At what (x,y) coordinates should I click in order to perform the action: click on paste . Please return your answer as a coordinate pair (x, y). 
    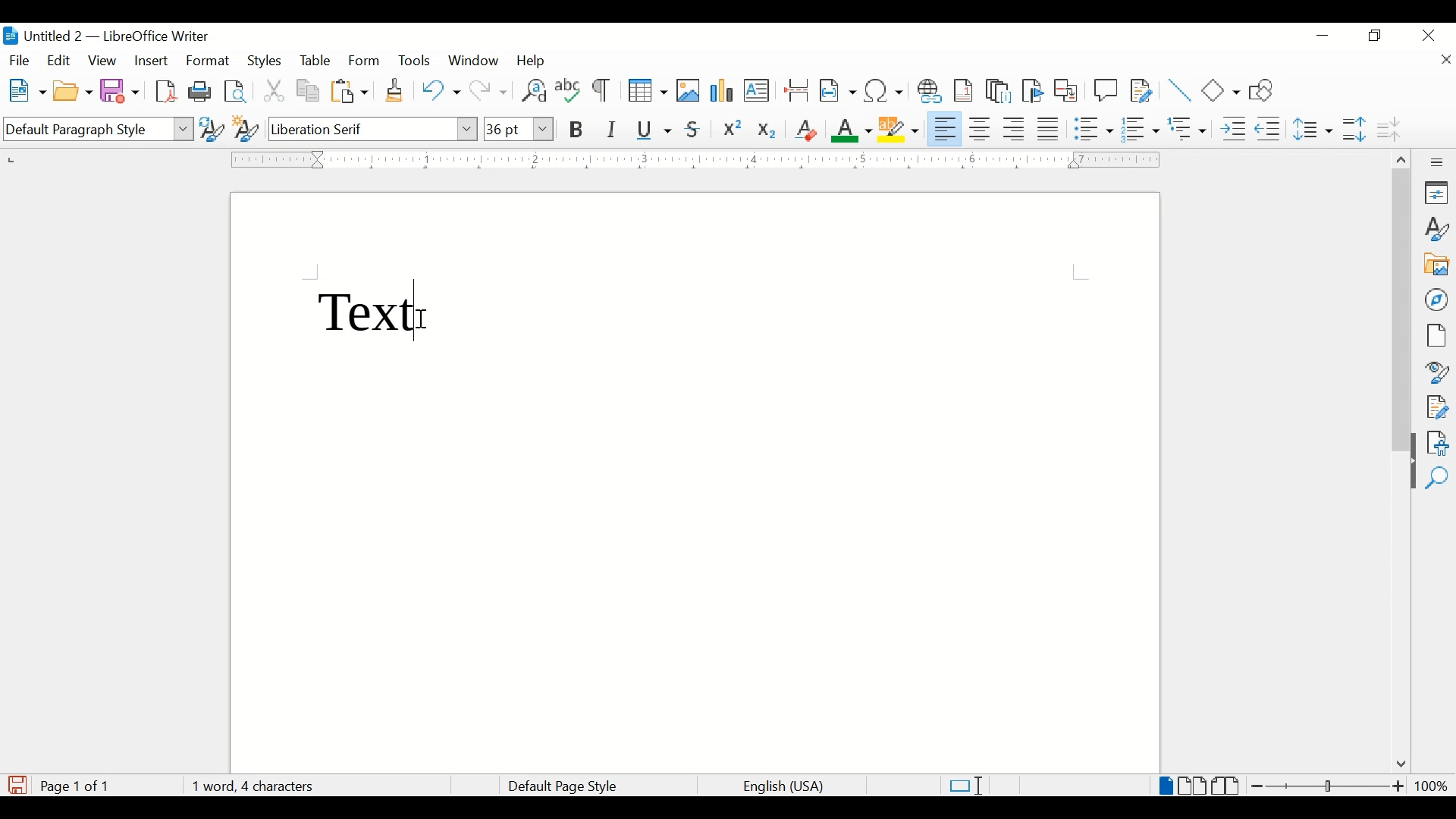
    Looking at the image, I should click on (350, 91).